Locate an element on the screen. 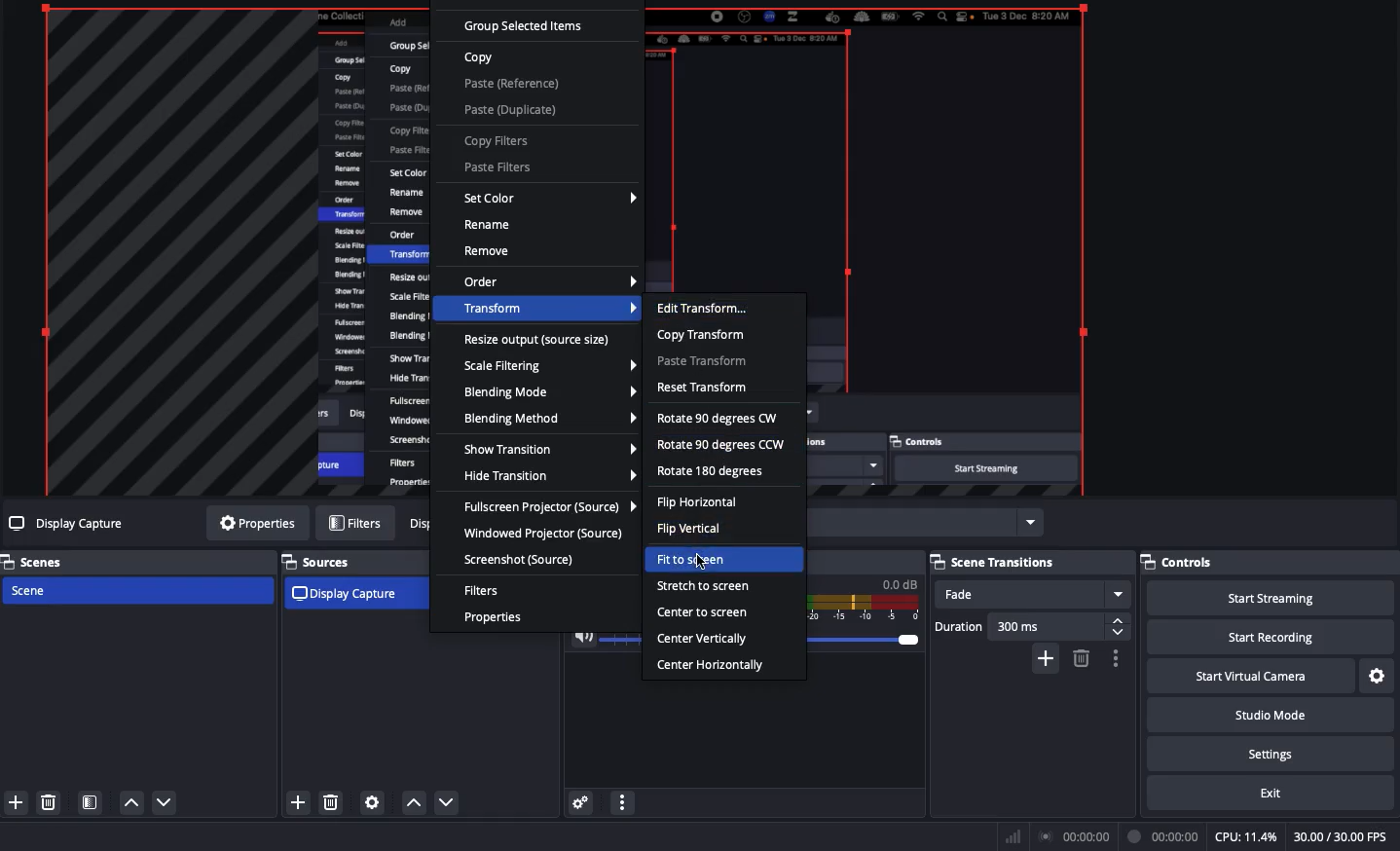  Order is located at coordinates (549, 282).